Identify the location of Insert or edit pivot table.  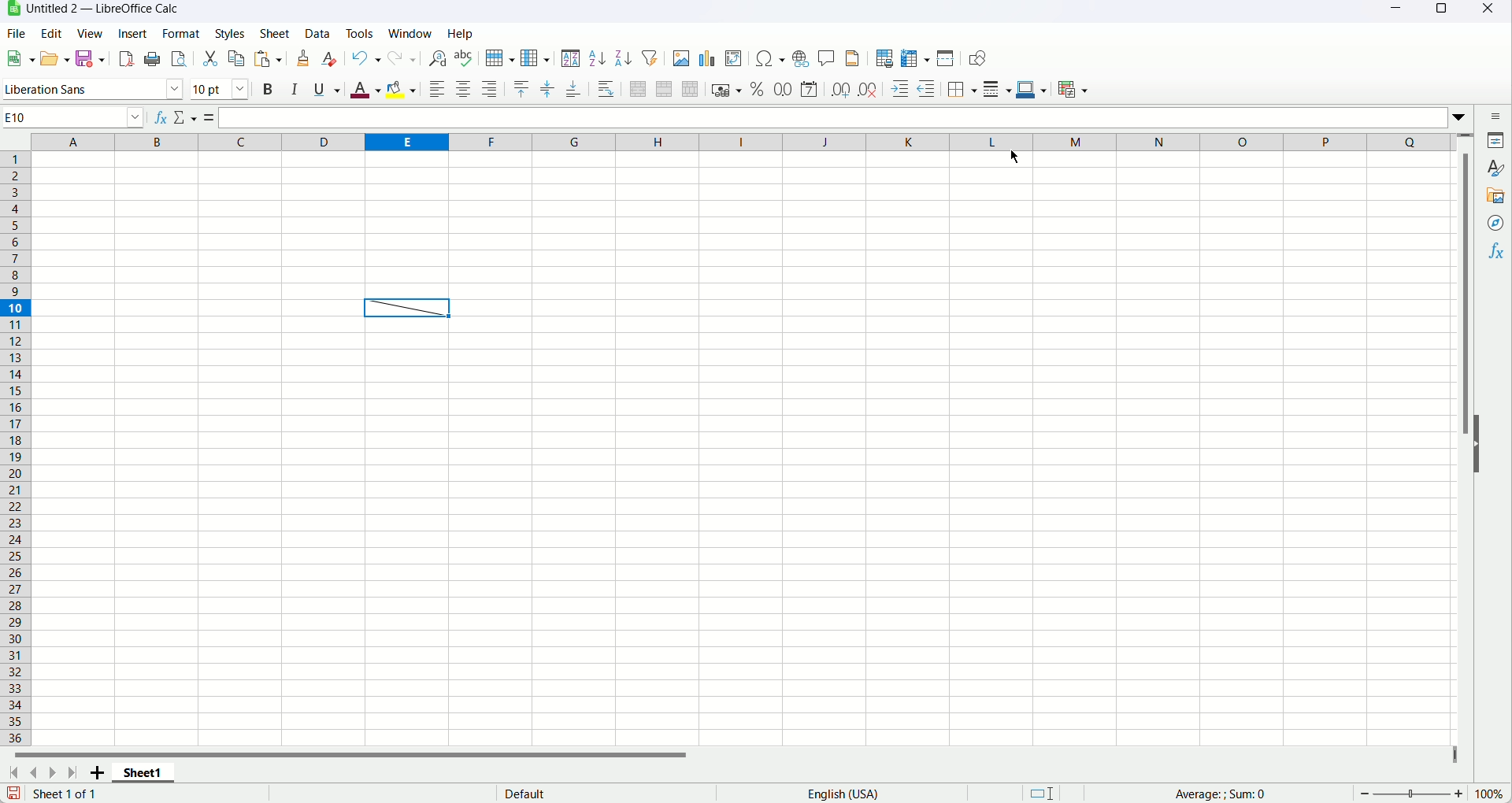
(734, 59).